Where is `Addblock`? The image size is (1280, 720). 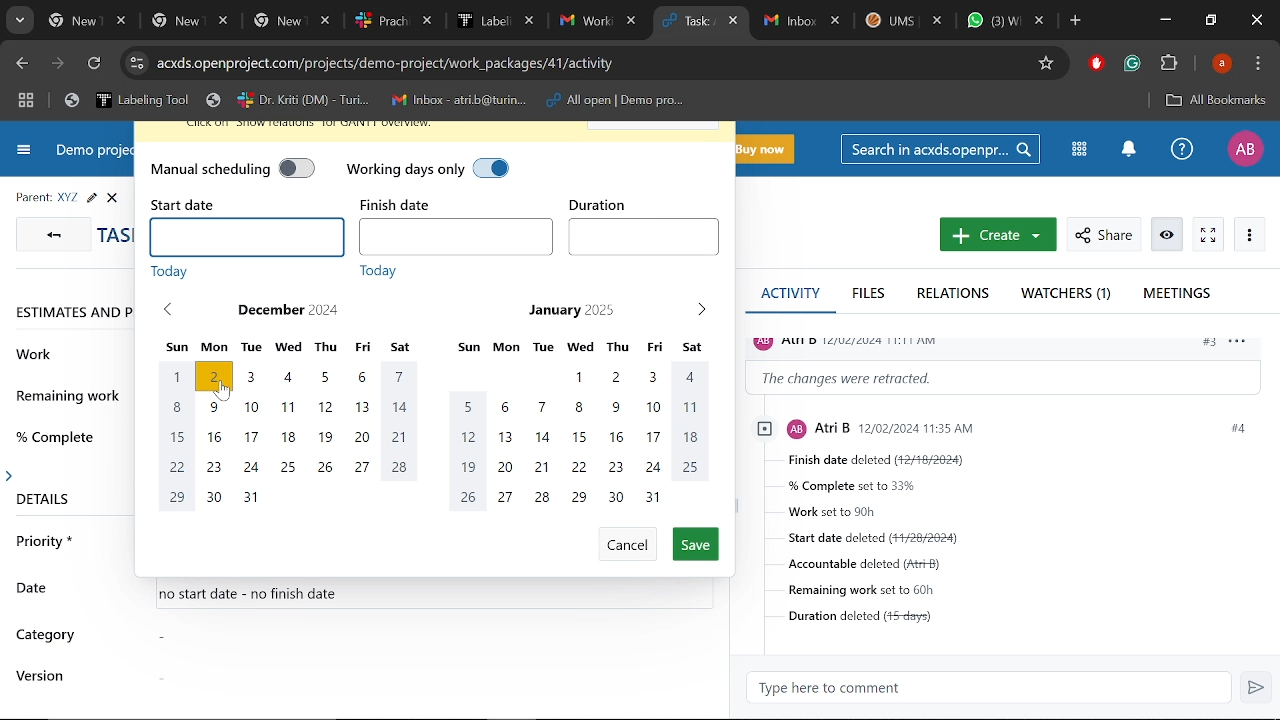 Addblock is located at coordinates (1096, 63).